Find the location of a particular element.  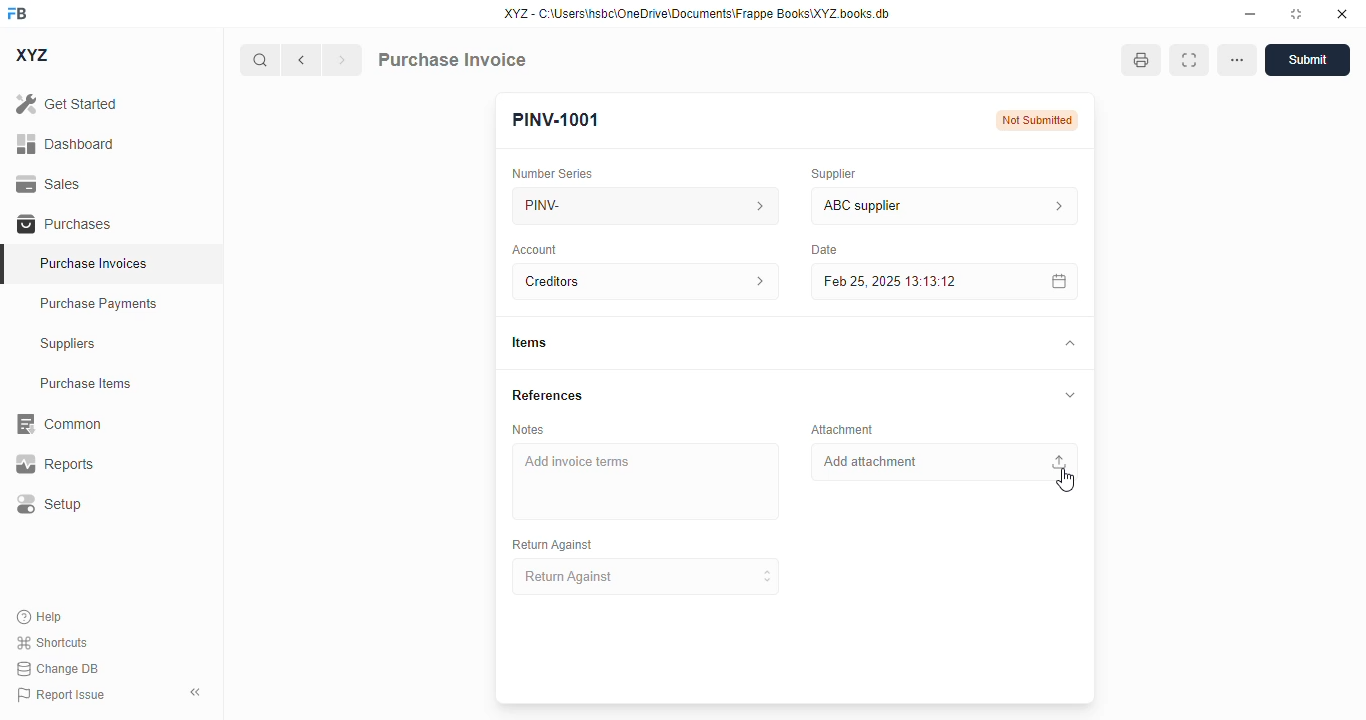

purchase payments is located at coordinates (99, 303).